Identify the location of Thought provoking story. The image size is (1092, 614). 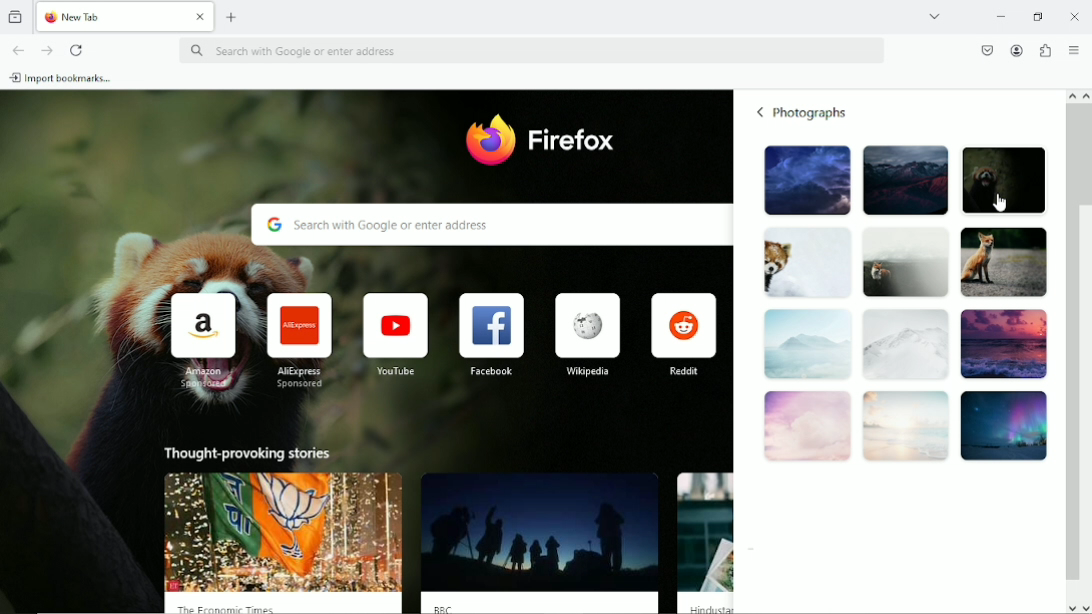
(283, 542).